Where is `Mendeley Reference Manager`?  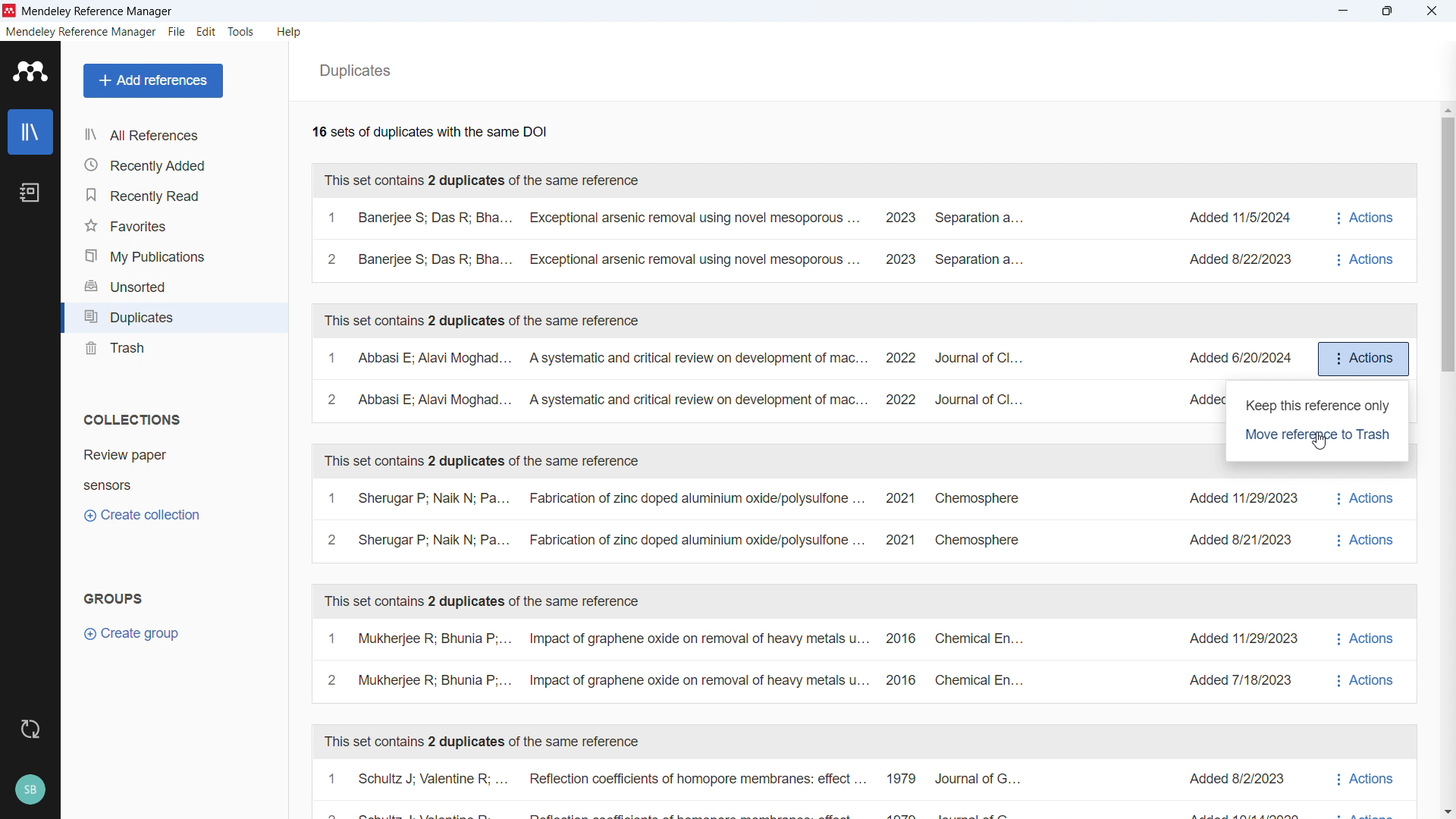 Mendeley Reference Manager is located at coordinates (98, 11).